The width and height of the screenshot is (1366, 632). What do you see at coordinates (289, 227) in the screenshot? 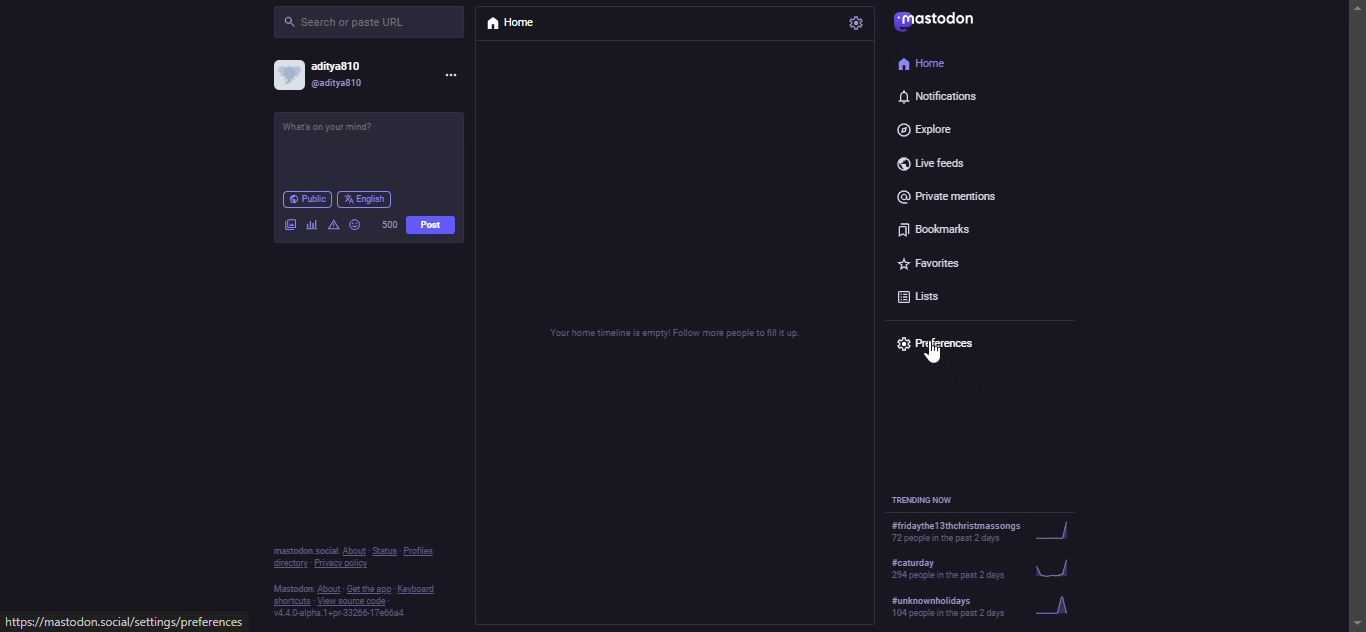
I see `image` at bounding box center [289, 227].